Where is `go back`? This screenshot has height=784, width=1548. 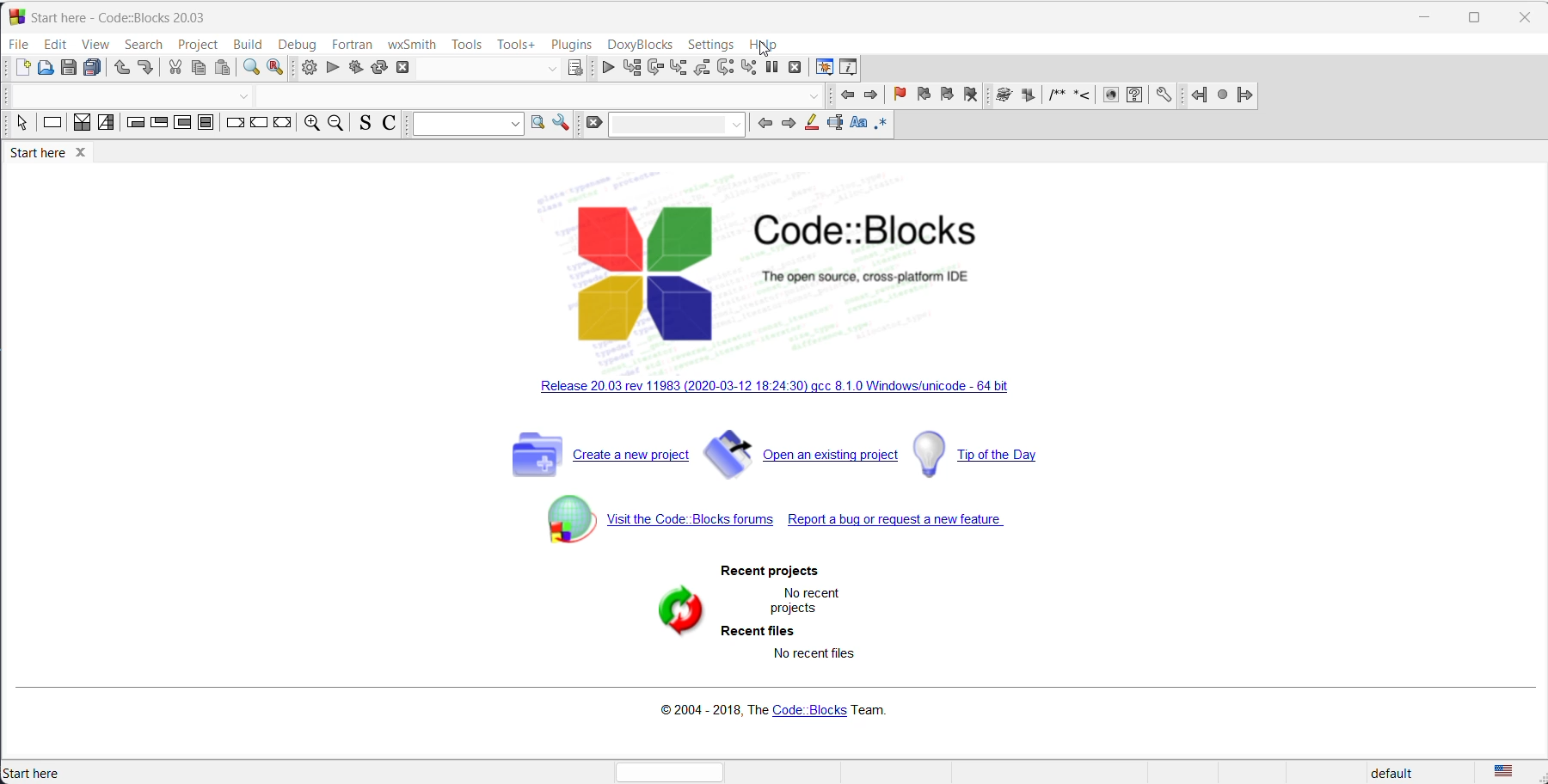
go back is located at coordinates (1195, 97).